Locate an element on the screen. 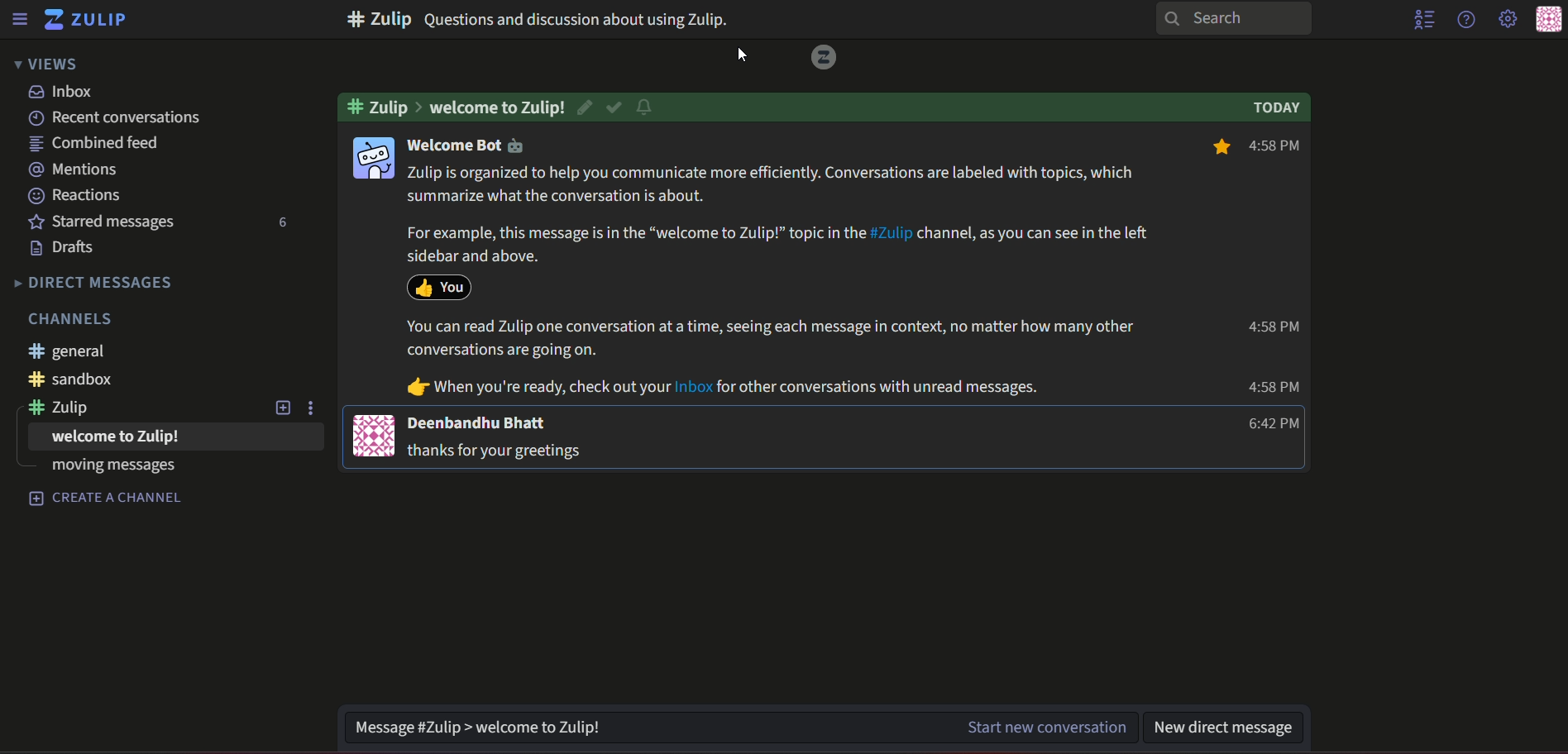 Image resolution: width=1568 pixels, height=754 pixels. Starred Messages is located at coordinates (107, 222).